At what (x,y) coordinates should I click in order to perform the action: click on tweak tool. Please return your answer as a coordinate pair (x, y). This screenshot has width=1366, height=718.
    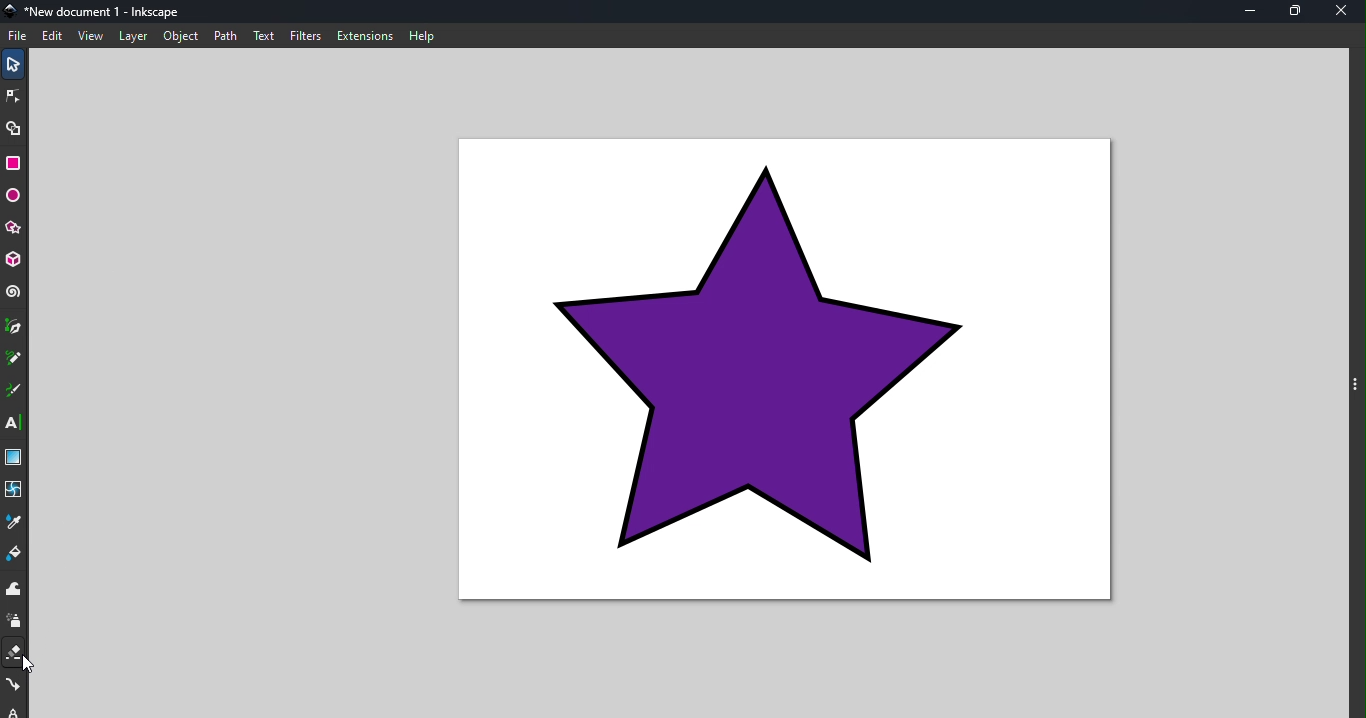
    Looking at the image, I should click on (13, 590).